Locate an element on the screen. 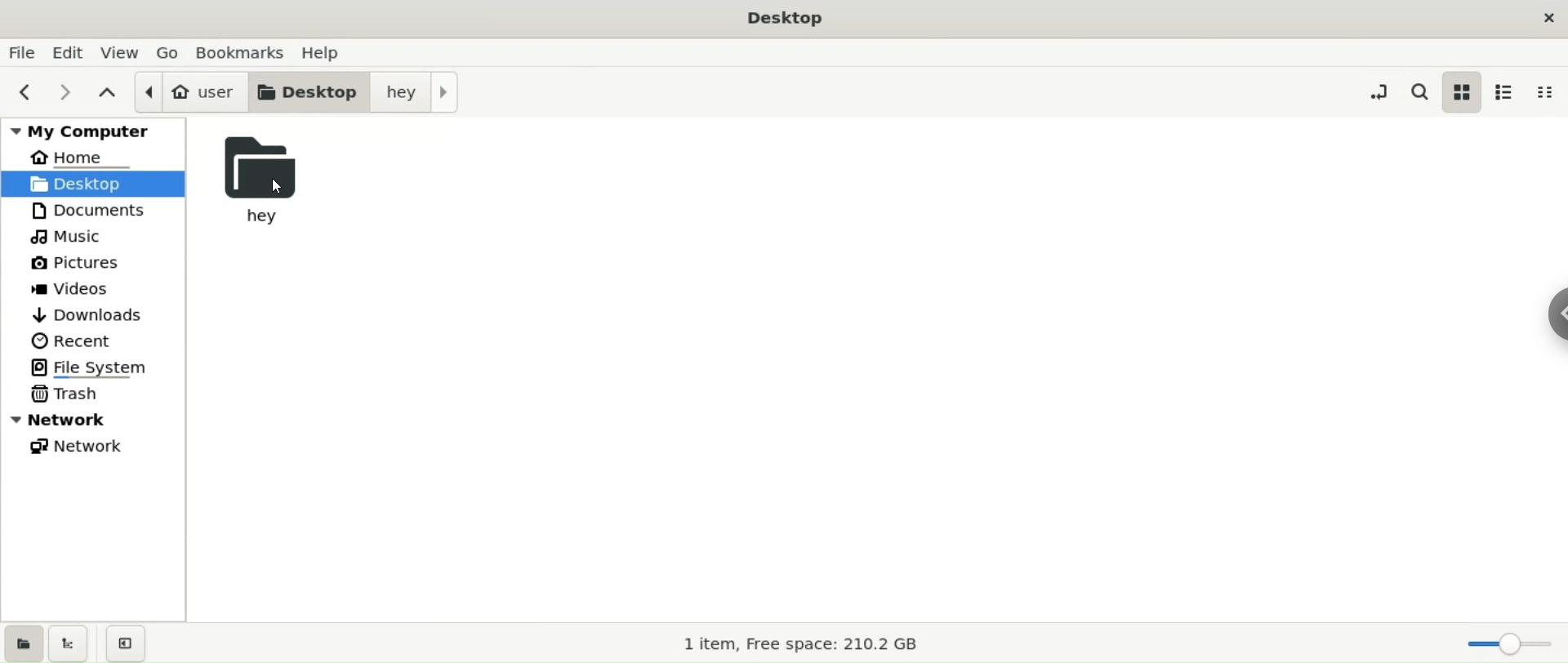 The image size is (1568, 663). CURSOR is located at coordinates (278, 187).